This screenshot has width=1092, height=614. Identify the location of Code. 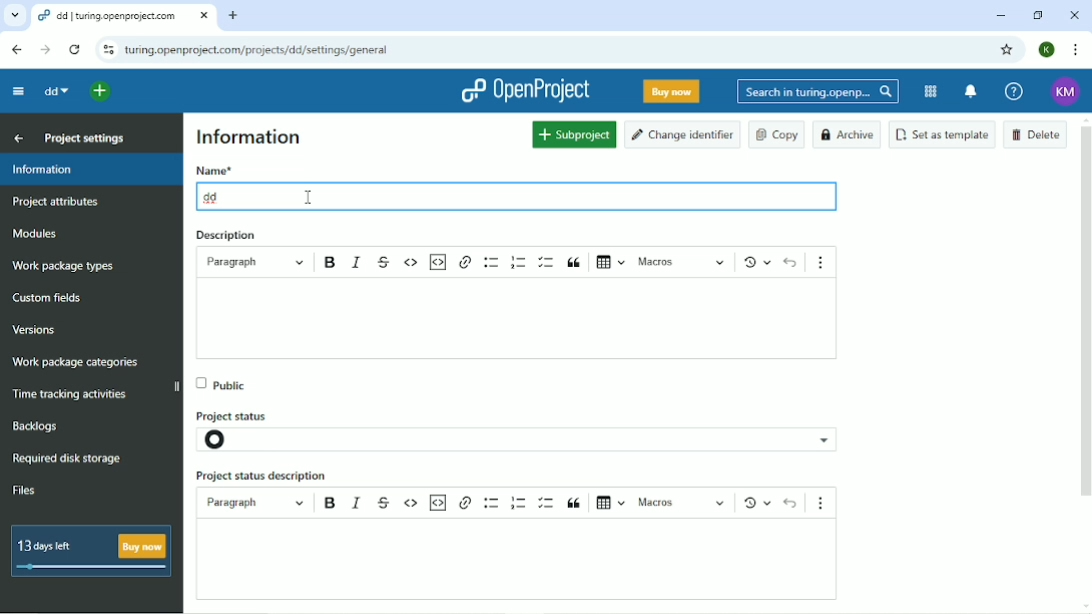
(411, 264).